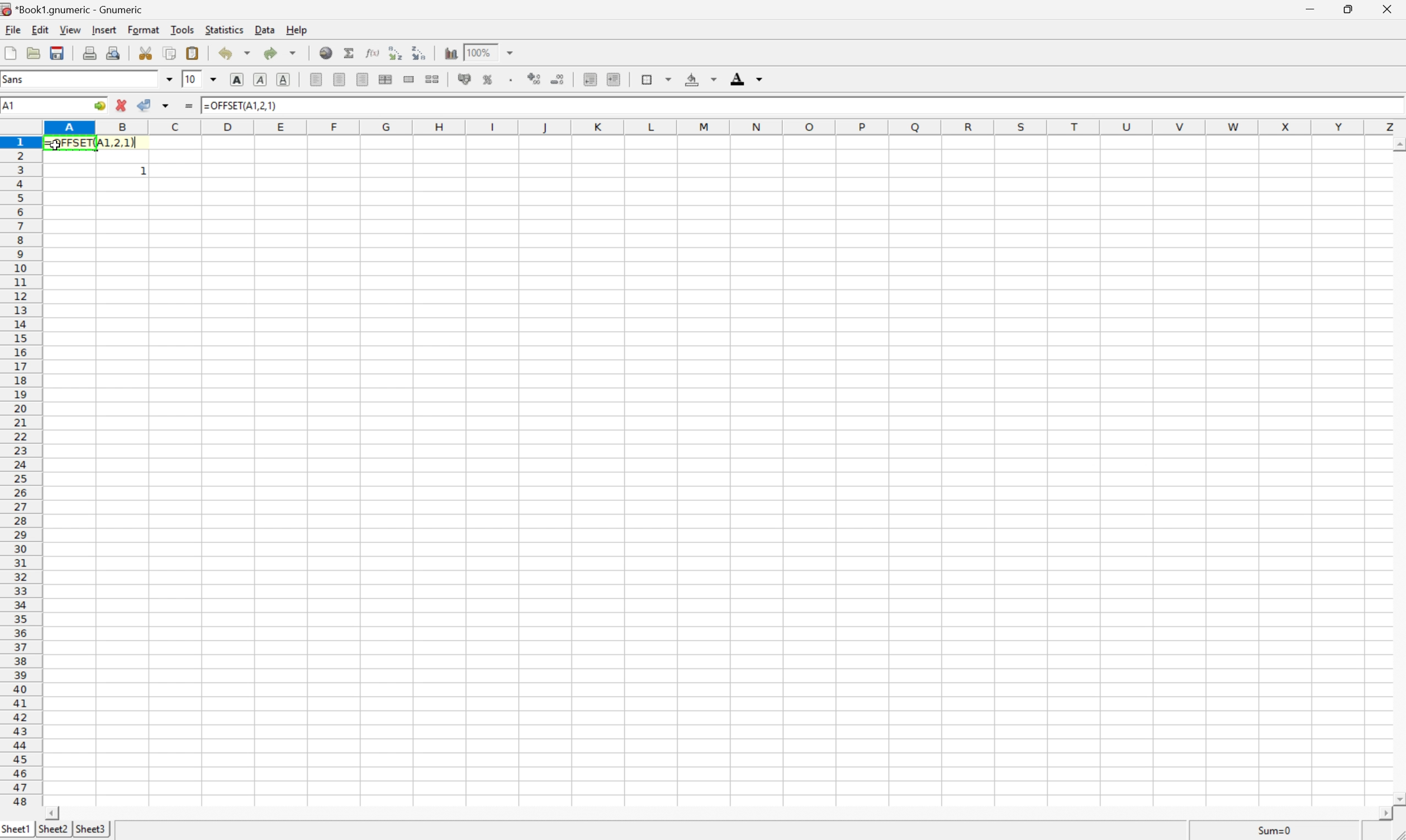 This screenshot has height=840, width=1406. What do you see at coordinates (285, 79) in the screenshot?
I see `underline` at bounding box center [285, 79].